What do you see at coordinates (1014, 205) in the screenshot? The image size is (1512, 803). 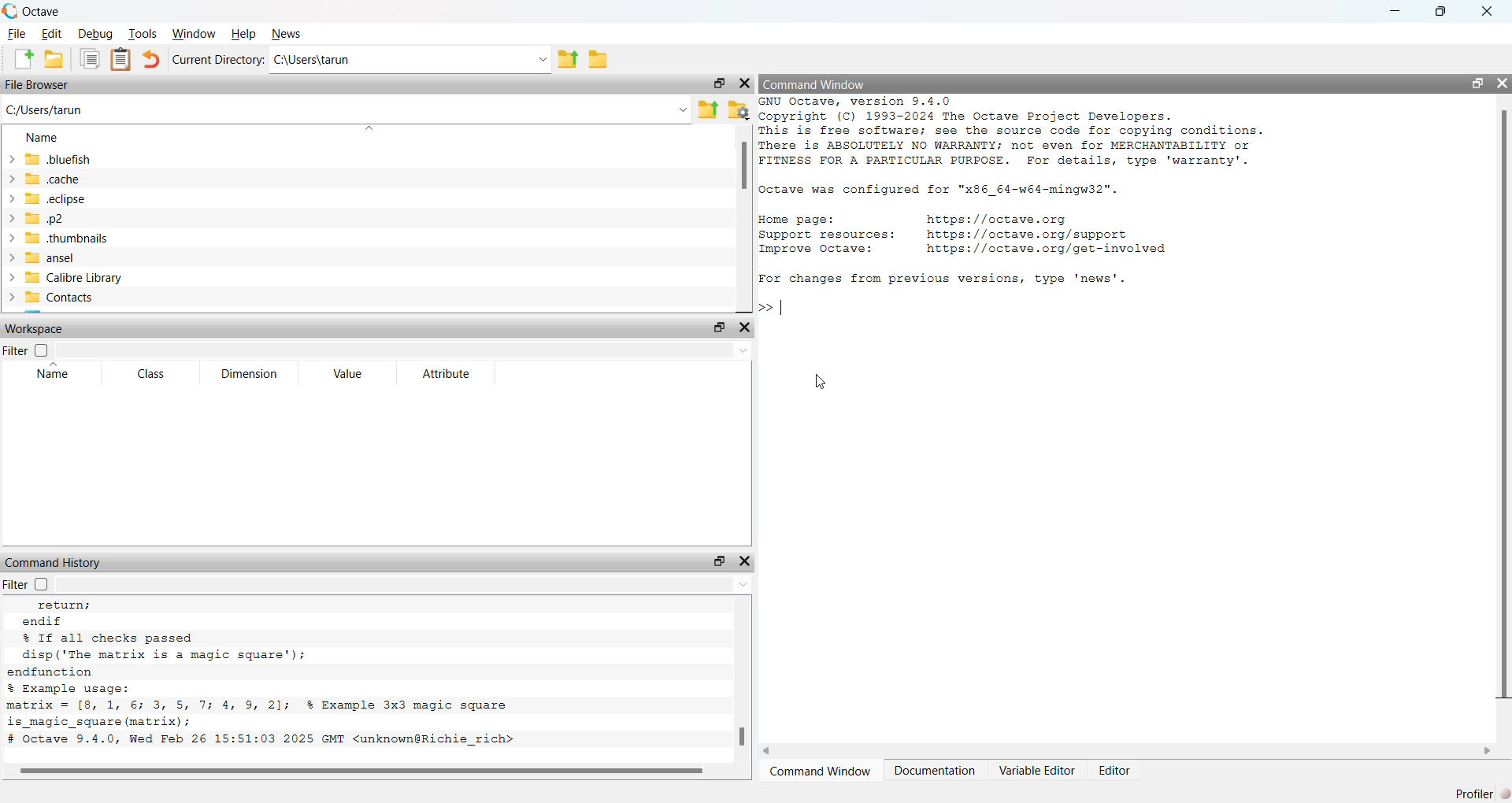 I see `GNU Octave, version 5.4.0Copyright (C) 1993-2024 The Octave Project Developers.This is free software; see the source code for copying conditions.There is ABSOLUTELY NO WARRANTY; not even for MERCHANTABILITY orFITNESS FOR A PARTICULAR PURPOSE. For details, type 'warranty'.Octave was configured for "x86_64-w64-mingw32".Home page: https: //octave.orgSupport resources:  https://octave.org/supportImprove Octave: https: //octave.org/get-involvedFor changes from previous versions, type 'news'.>» ` at bounding box center [1014, 205].